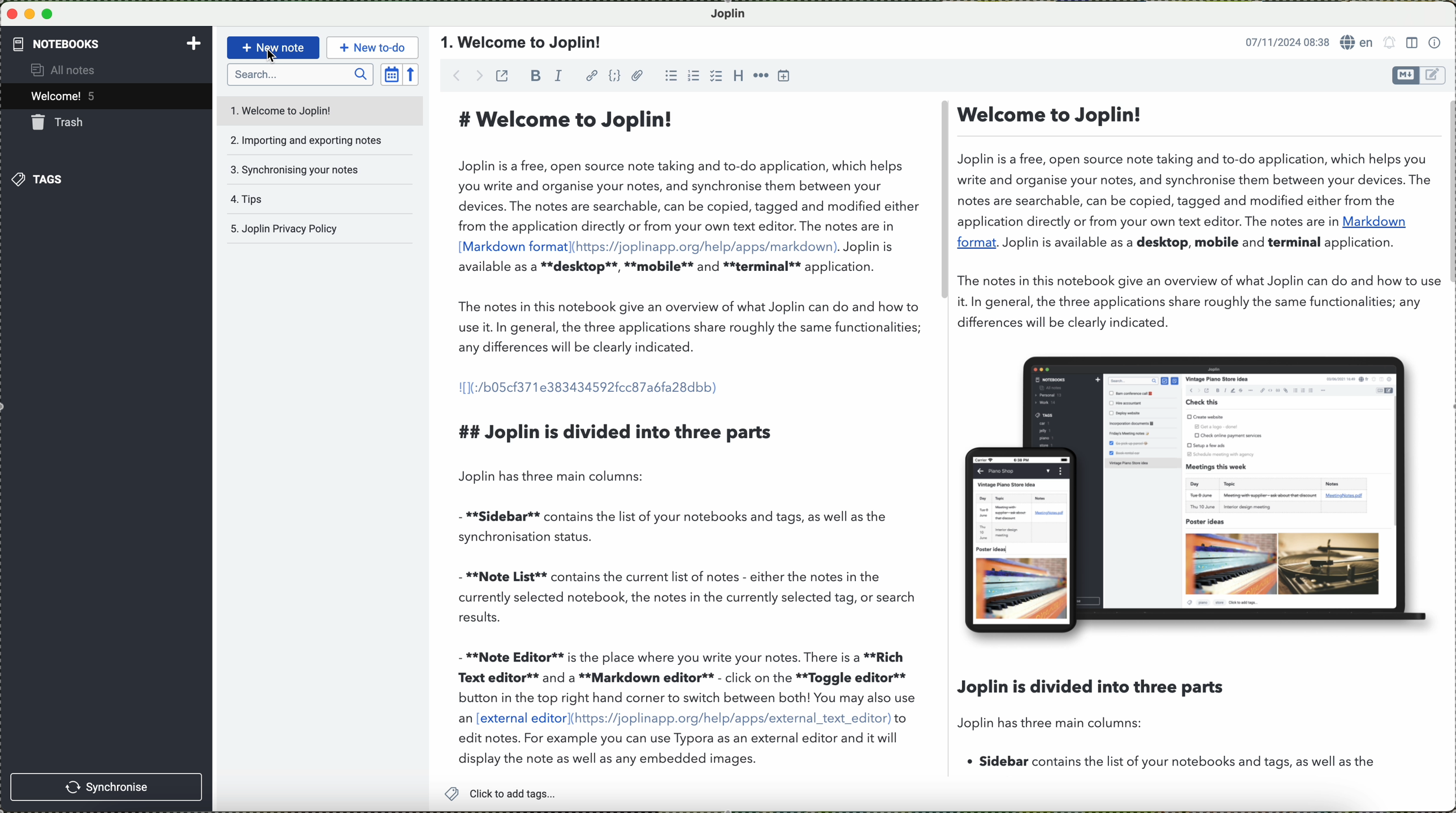 This screenshot has width=1456, height=813. Describe the element at coordinates (11, 15) in the screenshot. I see `close` at that location.